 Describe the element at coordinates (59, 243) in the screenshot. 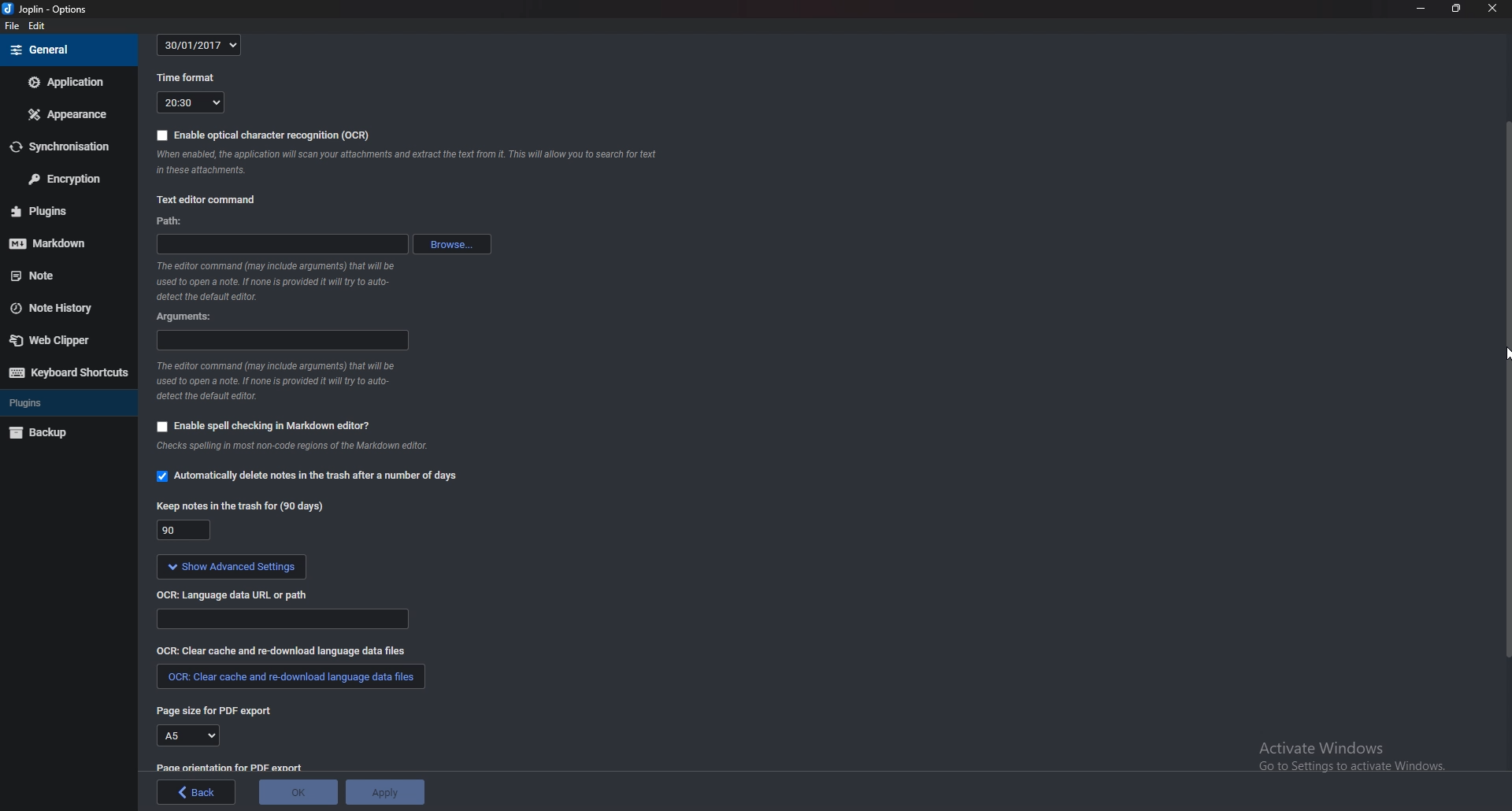

I see `Mark down` at that location.